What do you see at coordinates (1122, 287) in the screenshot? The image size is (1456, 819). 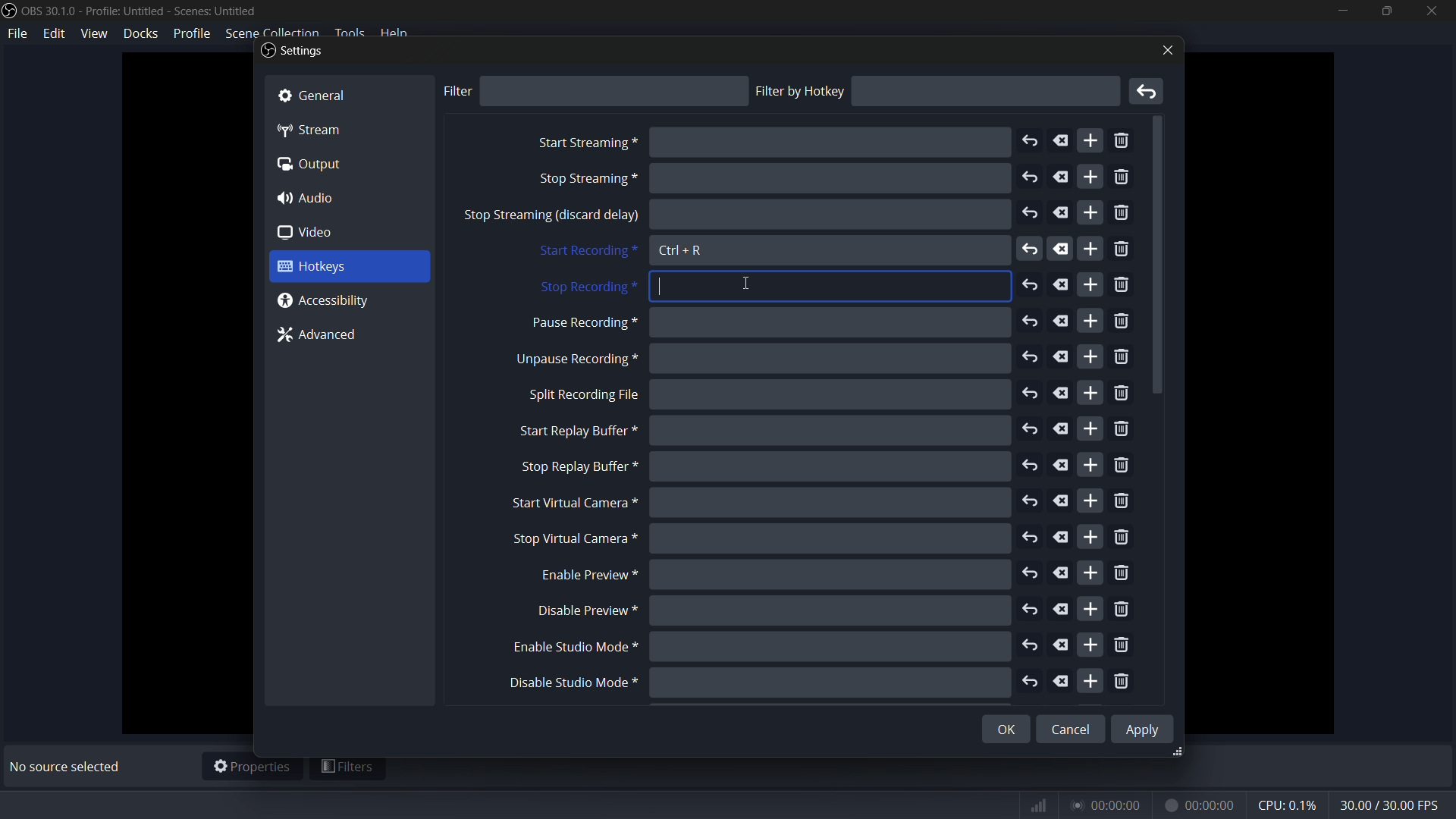 I see `remove` at bounding box center [1122, 287].